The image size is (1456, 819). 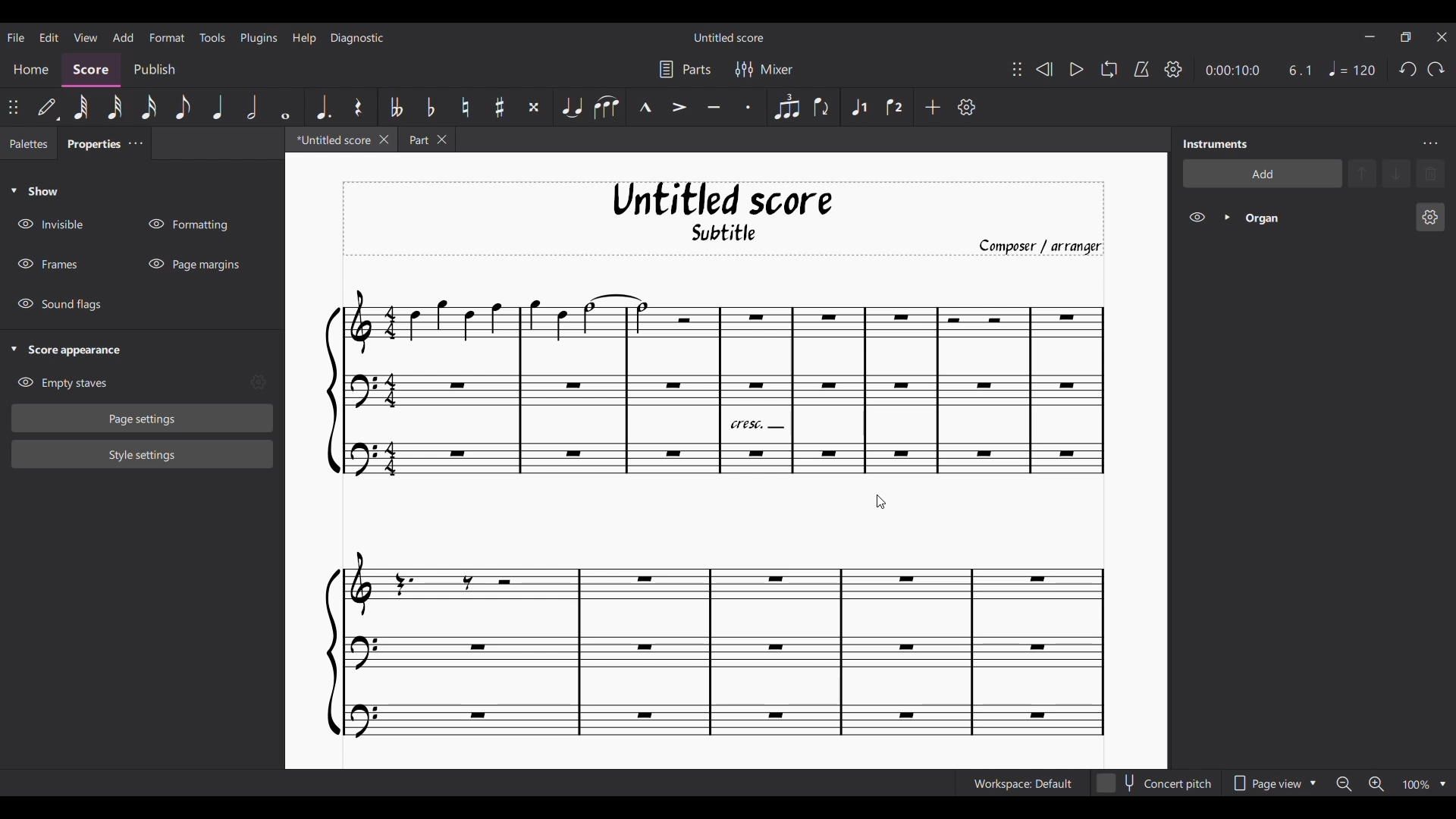 What do you see at coordinates (193, 264) in the screenshot?
I see `Hide Page margins` at bounding box center [193, 264].